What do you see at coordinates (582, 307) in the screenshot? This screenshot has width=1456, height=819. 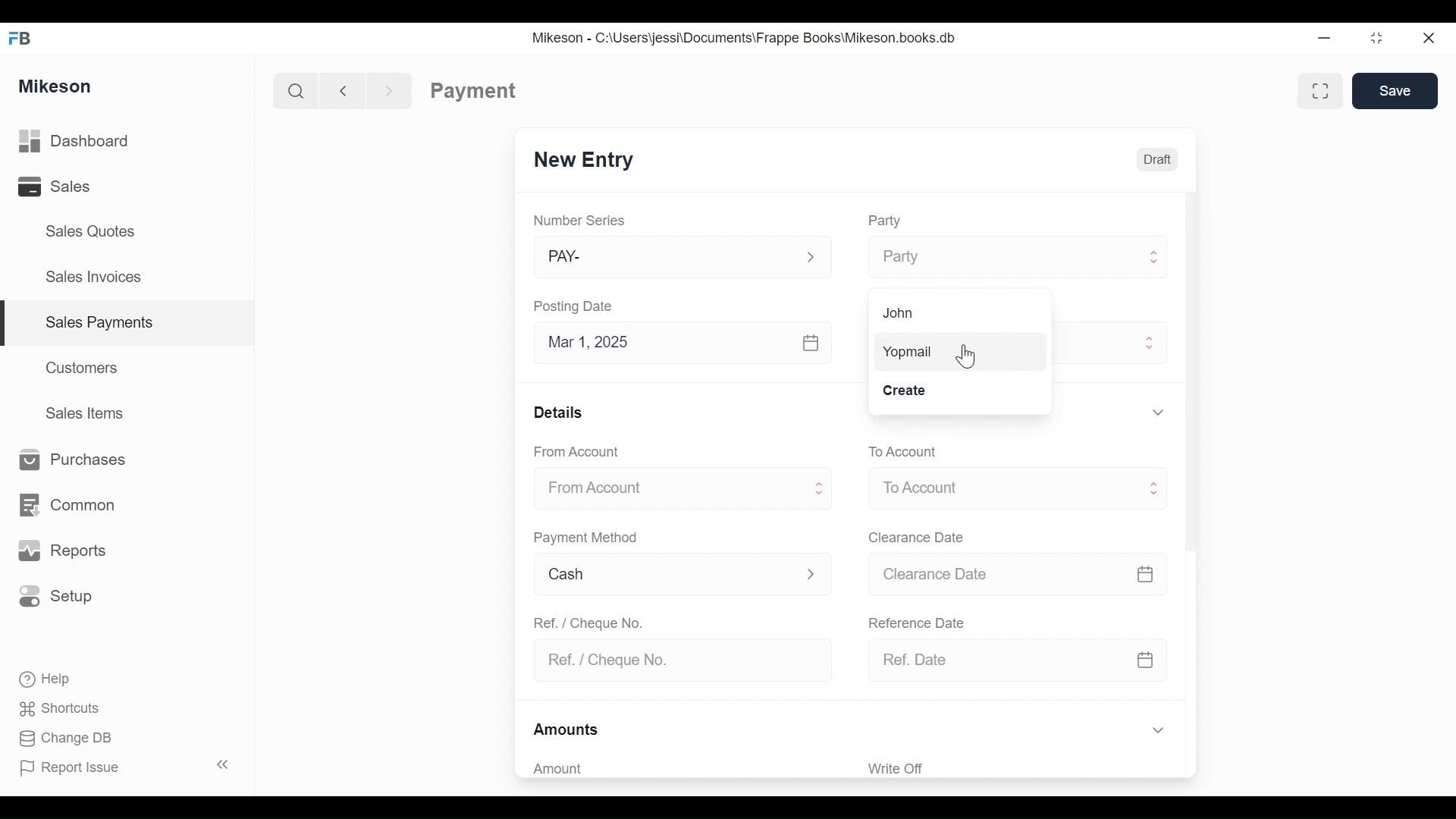 I see `Posting Date` at bounding box center [582, 307].